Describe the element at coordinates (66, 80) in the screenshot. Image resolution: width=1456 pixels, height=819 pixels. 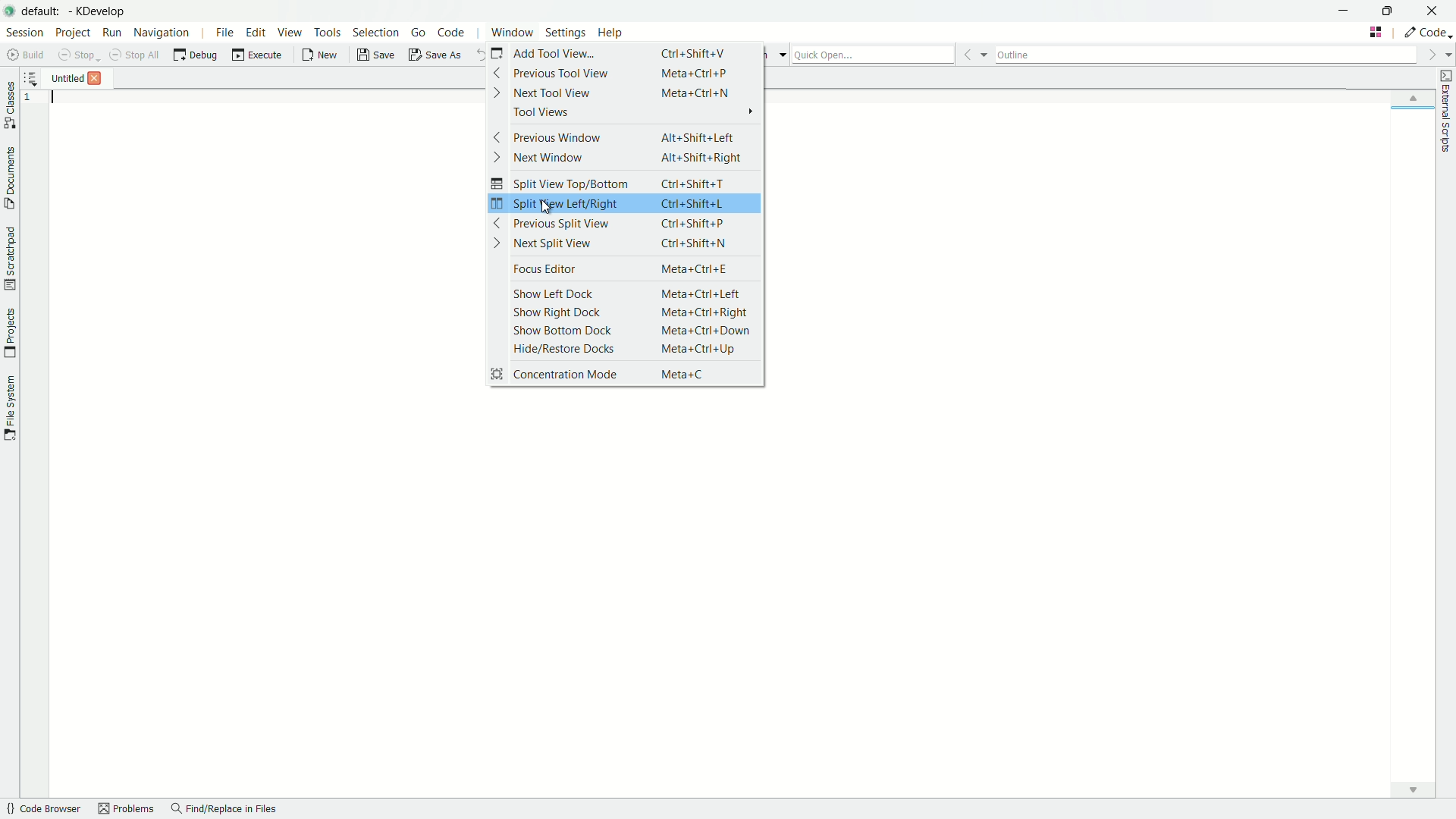
I see `file name` at that location.